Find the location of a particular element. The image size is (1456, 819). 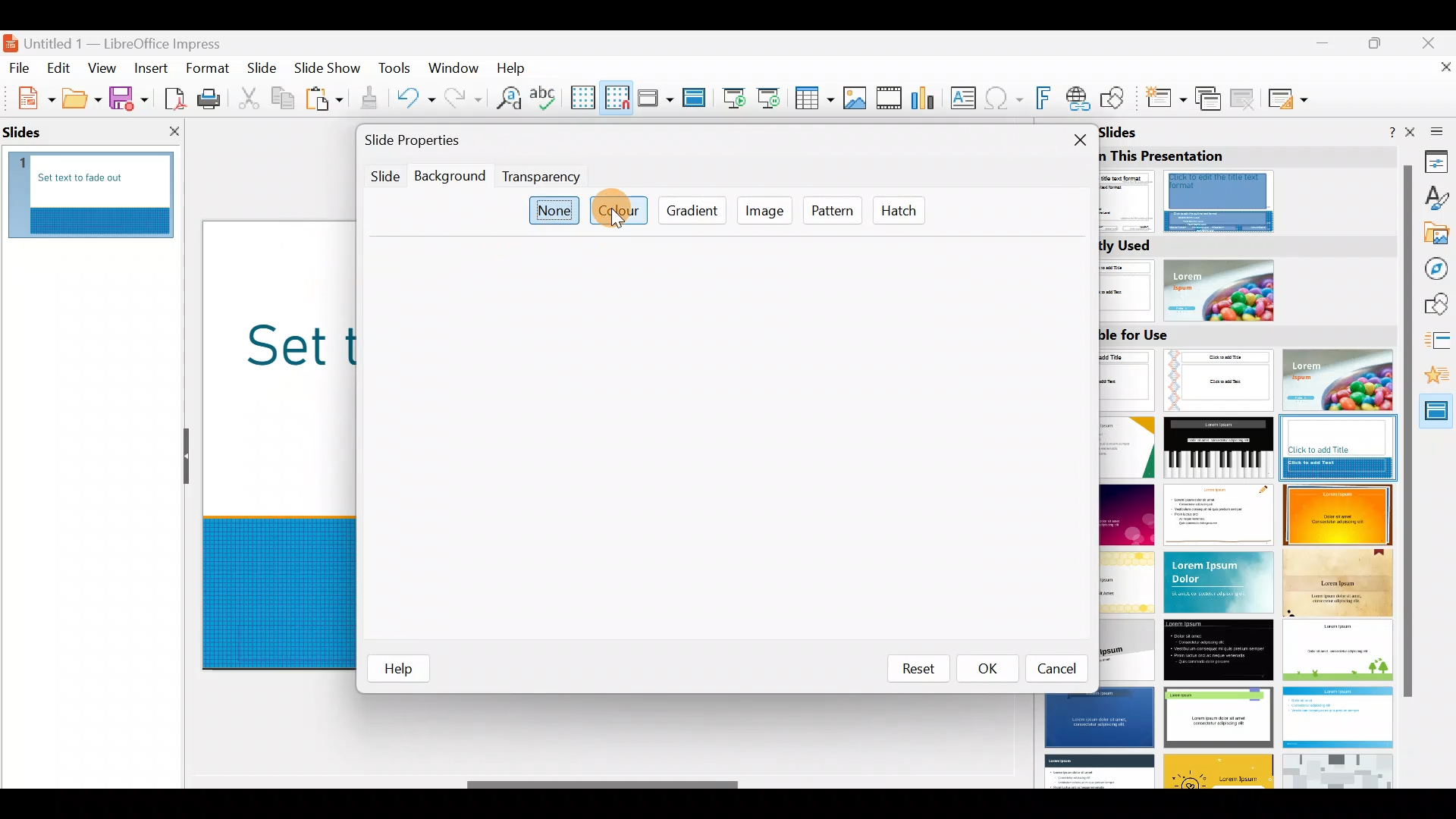

Delete slide is located at coordinates (1245, 98).